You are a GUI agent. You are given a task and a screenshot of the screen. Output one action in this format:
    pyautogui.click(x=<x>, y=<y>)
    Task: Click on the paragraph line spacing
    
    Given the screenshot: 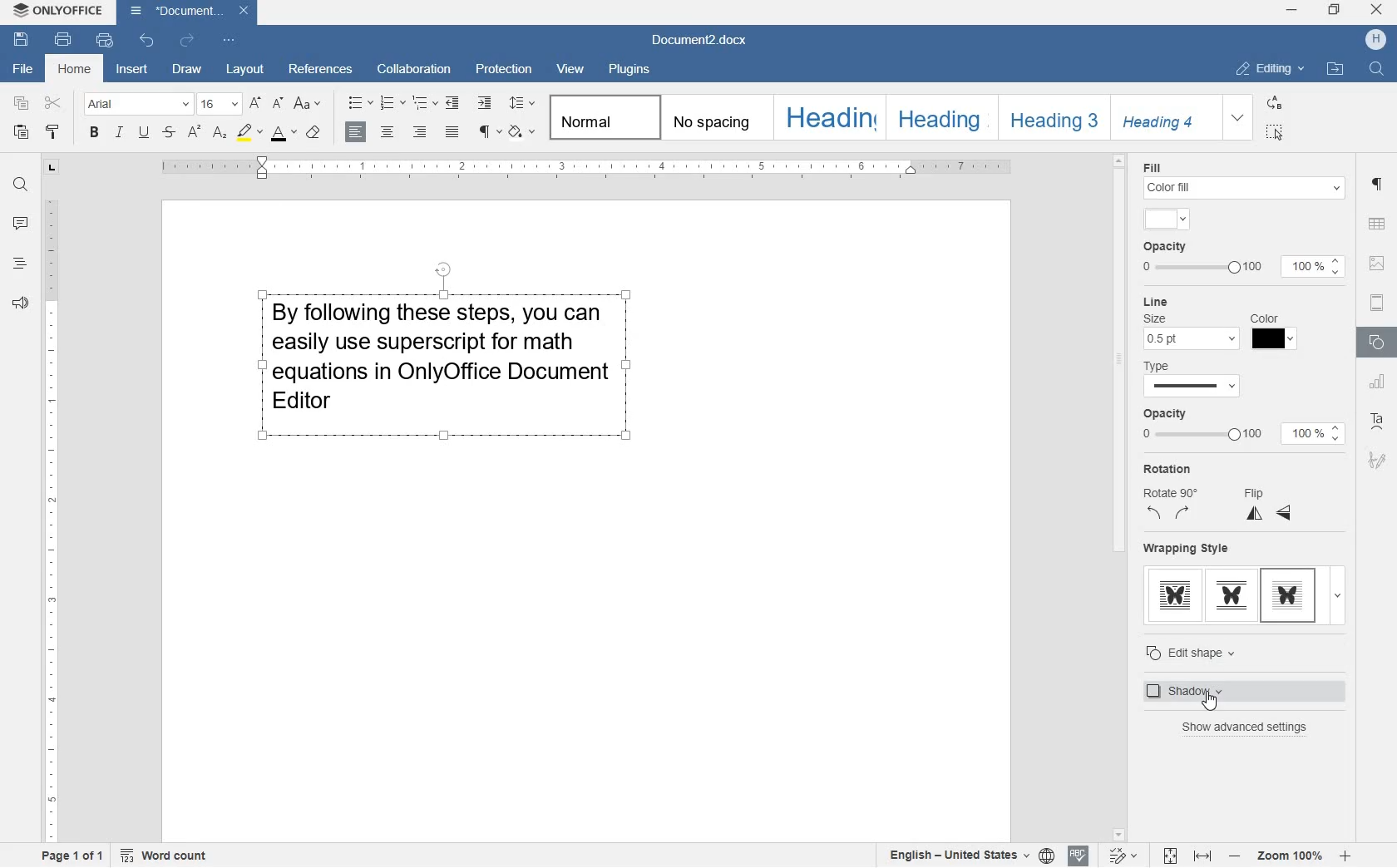 What is the action you would take?
    pyautogui.click(x=523, y=101)
    